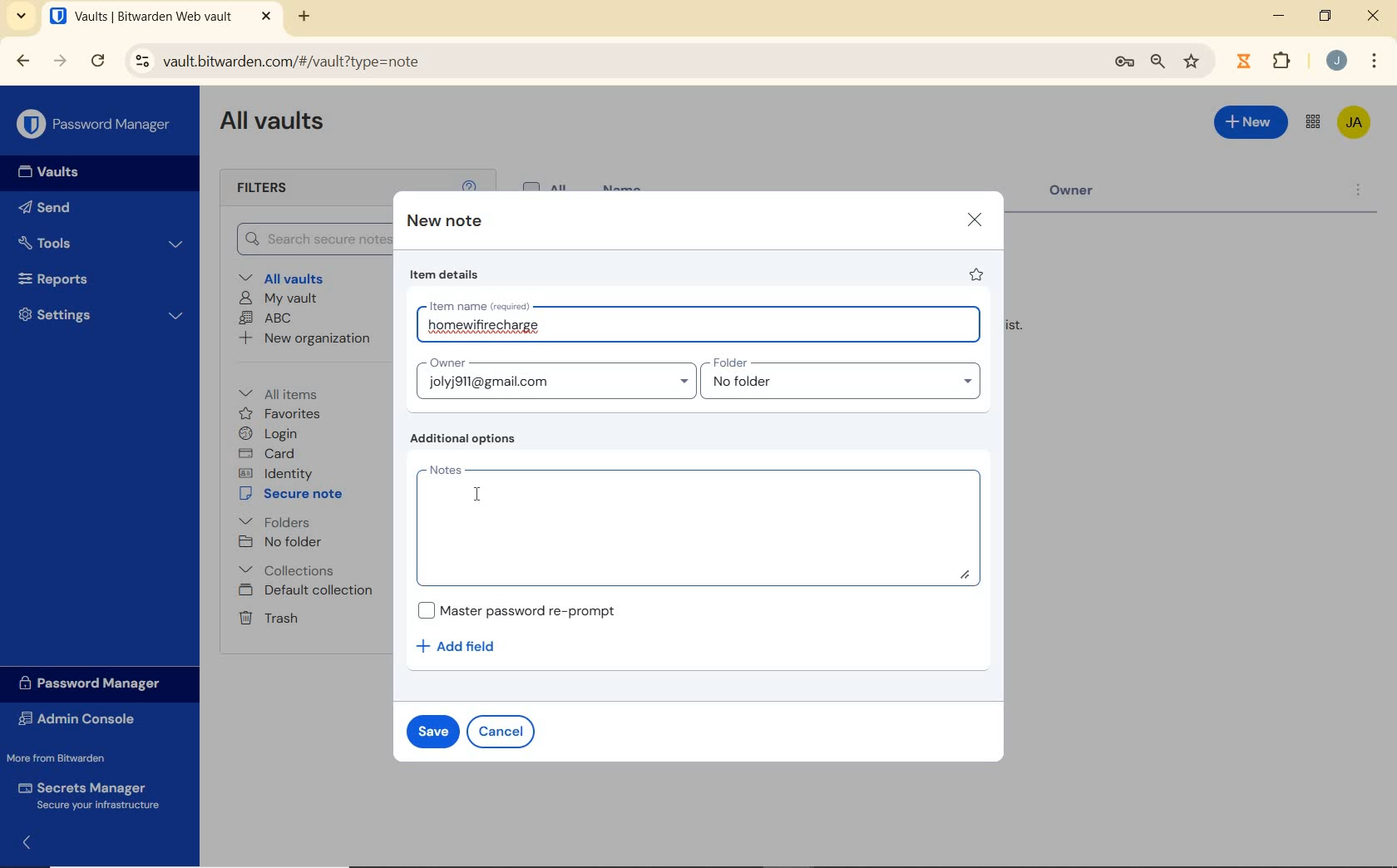 This screenshot has height=868, width=1397. I want to click on toggle between admin console and password manager, so click(1313, 123).